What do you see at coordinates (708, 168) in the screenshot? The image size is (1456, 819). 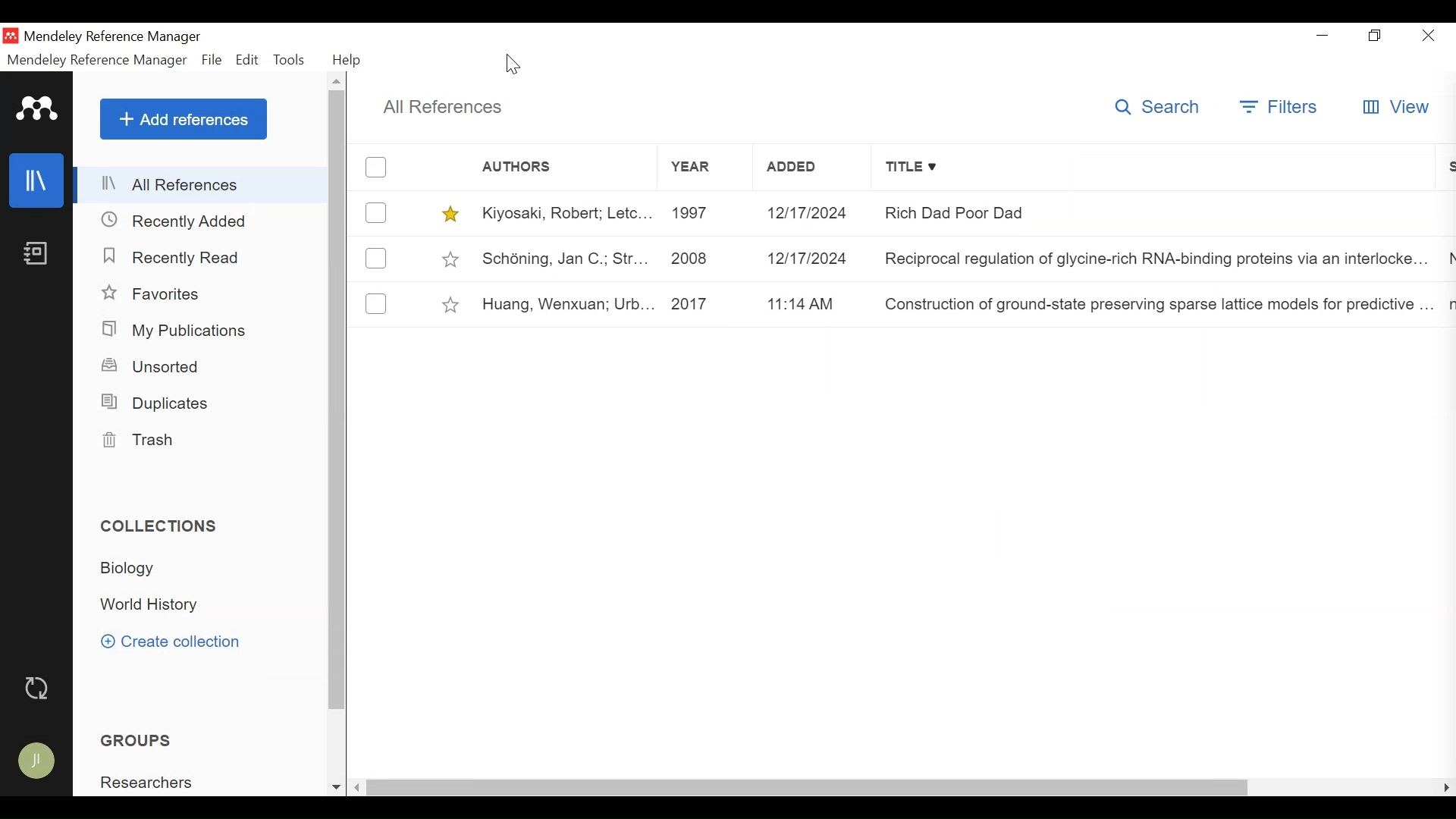 I see `Year` at bounding box center [708, 168].